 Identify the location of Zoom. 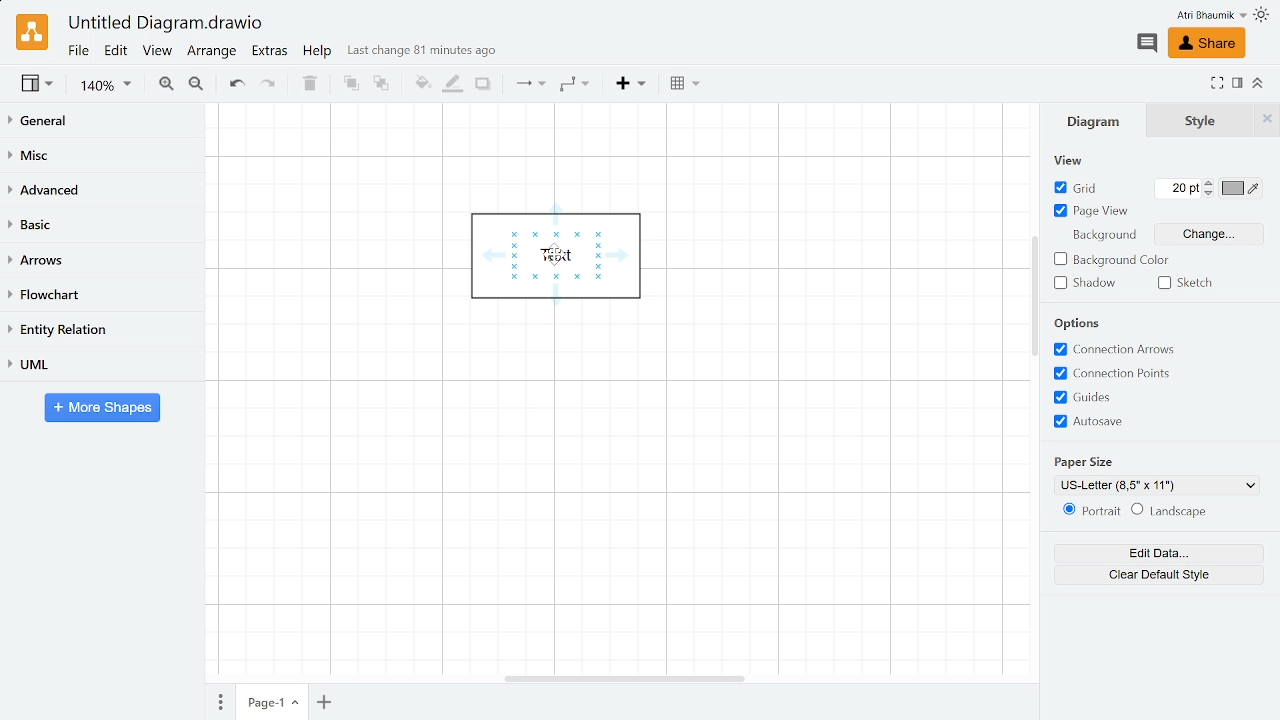
(106, 88).